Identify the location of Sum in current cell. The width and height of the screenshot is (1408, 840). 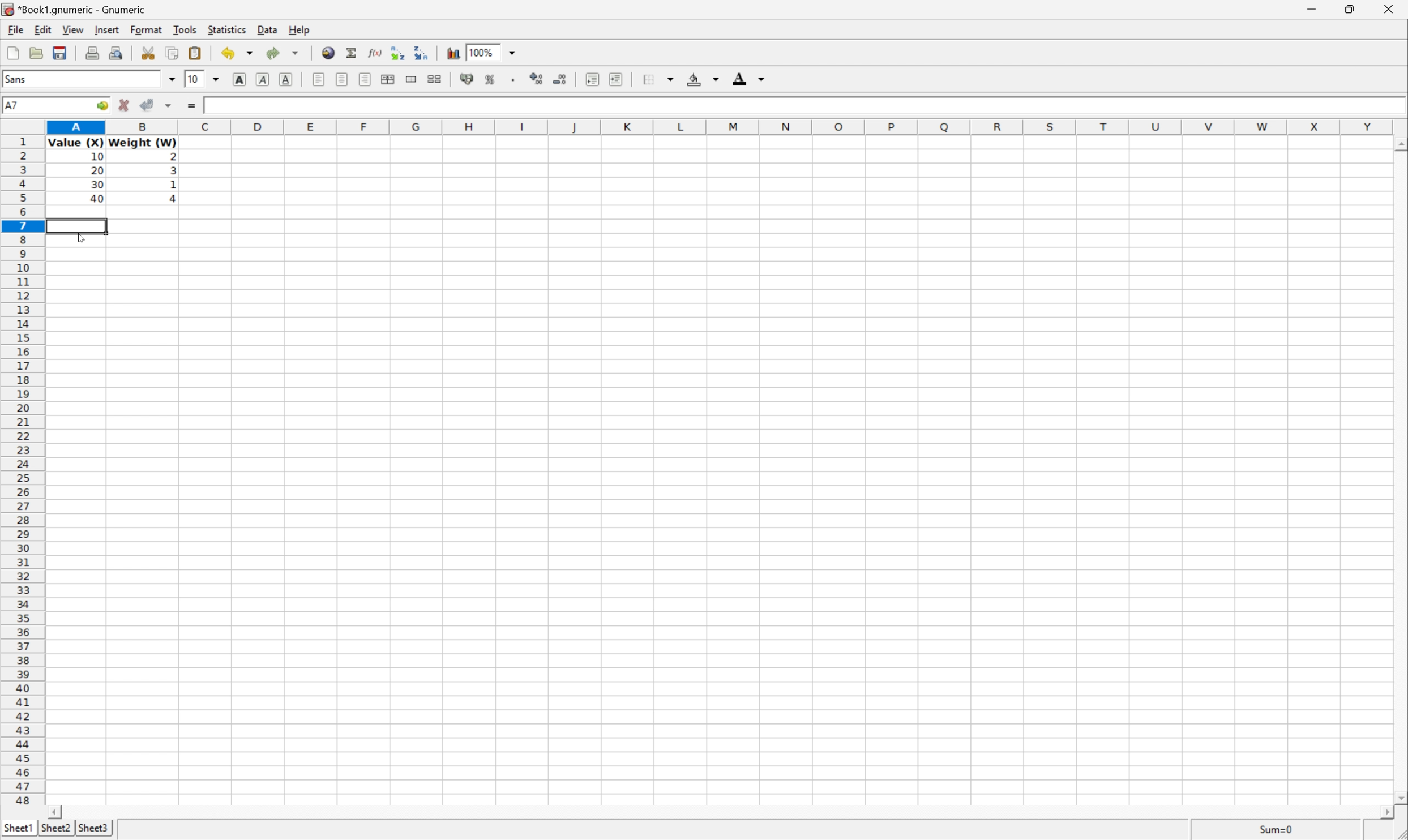
(351, 52).